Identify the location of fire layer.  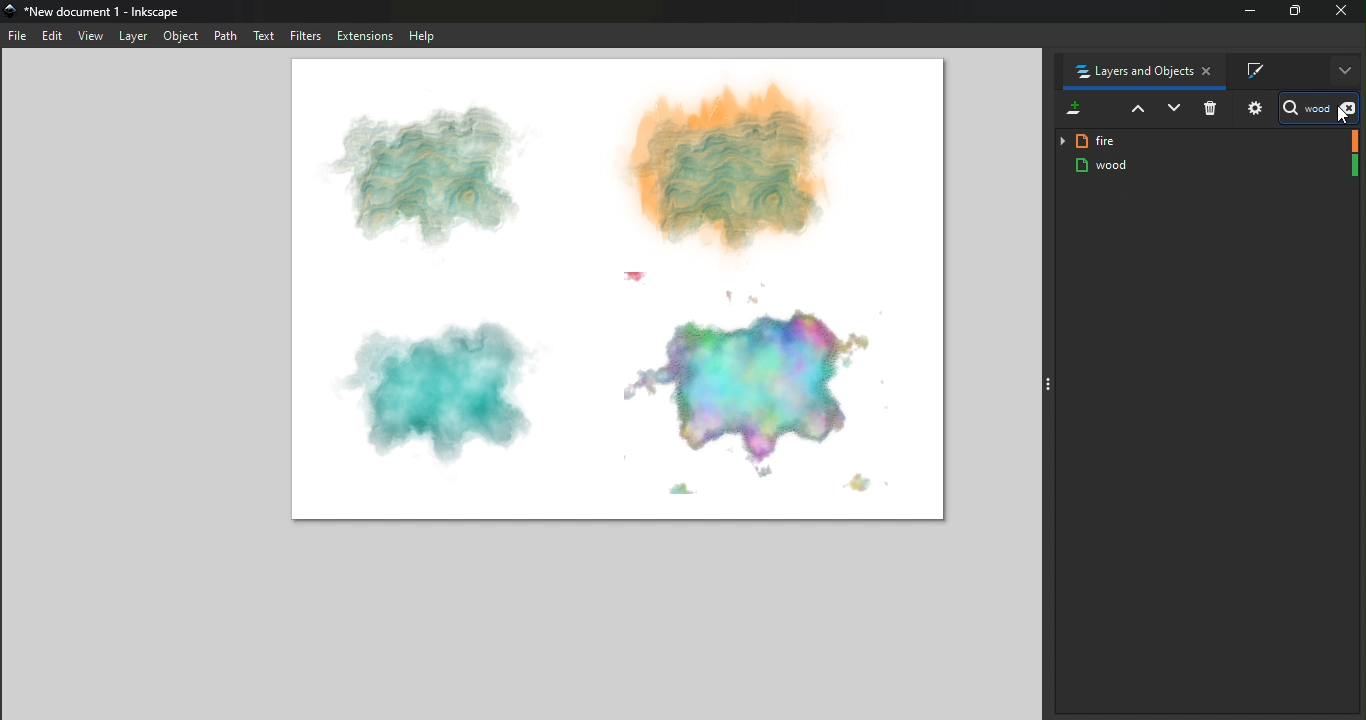
(1207, 140).